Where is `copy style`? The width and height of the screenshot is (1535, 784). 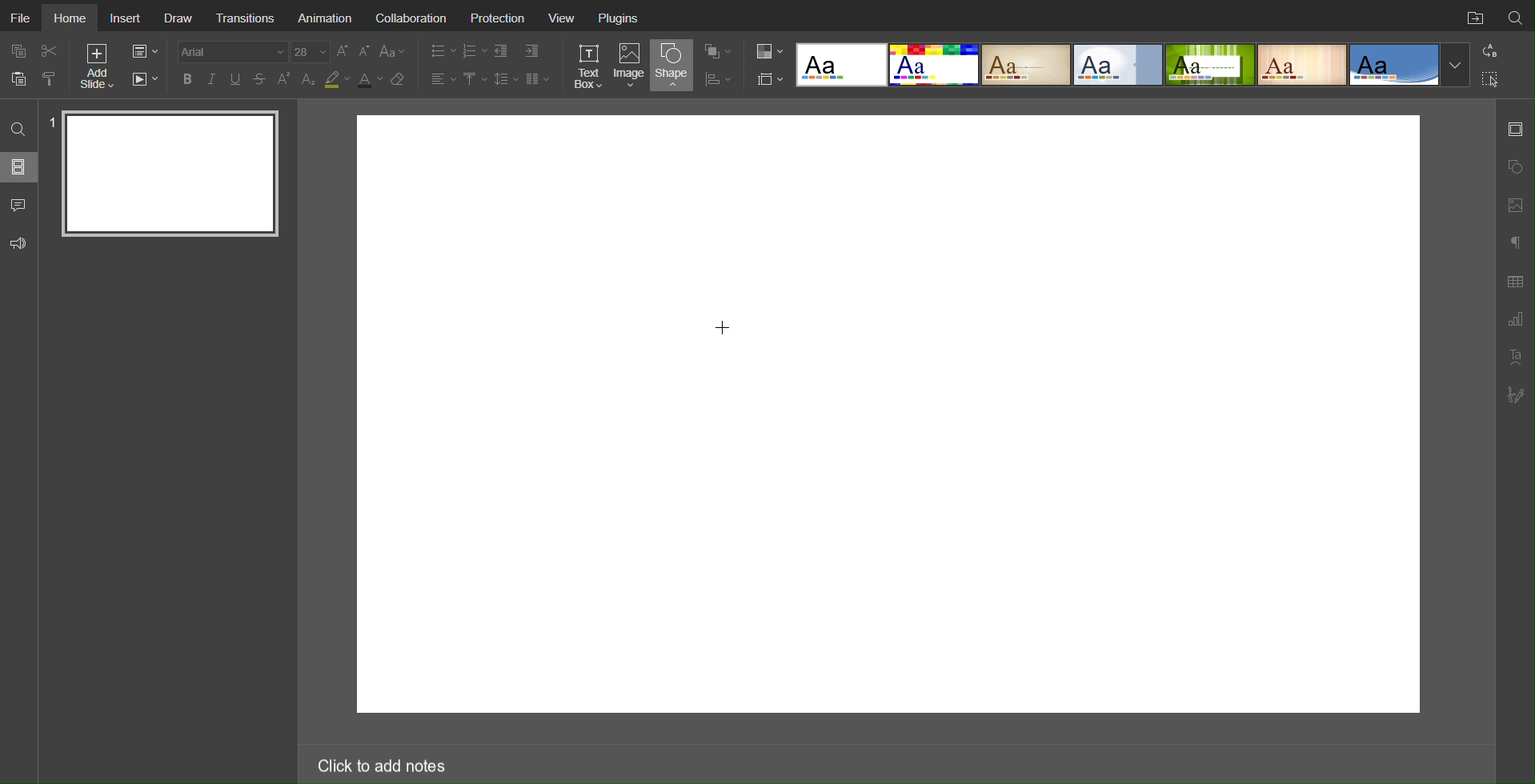
copy style is located at coordinates (55, 78).